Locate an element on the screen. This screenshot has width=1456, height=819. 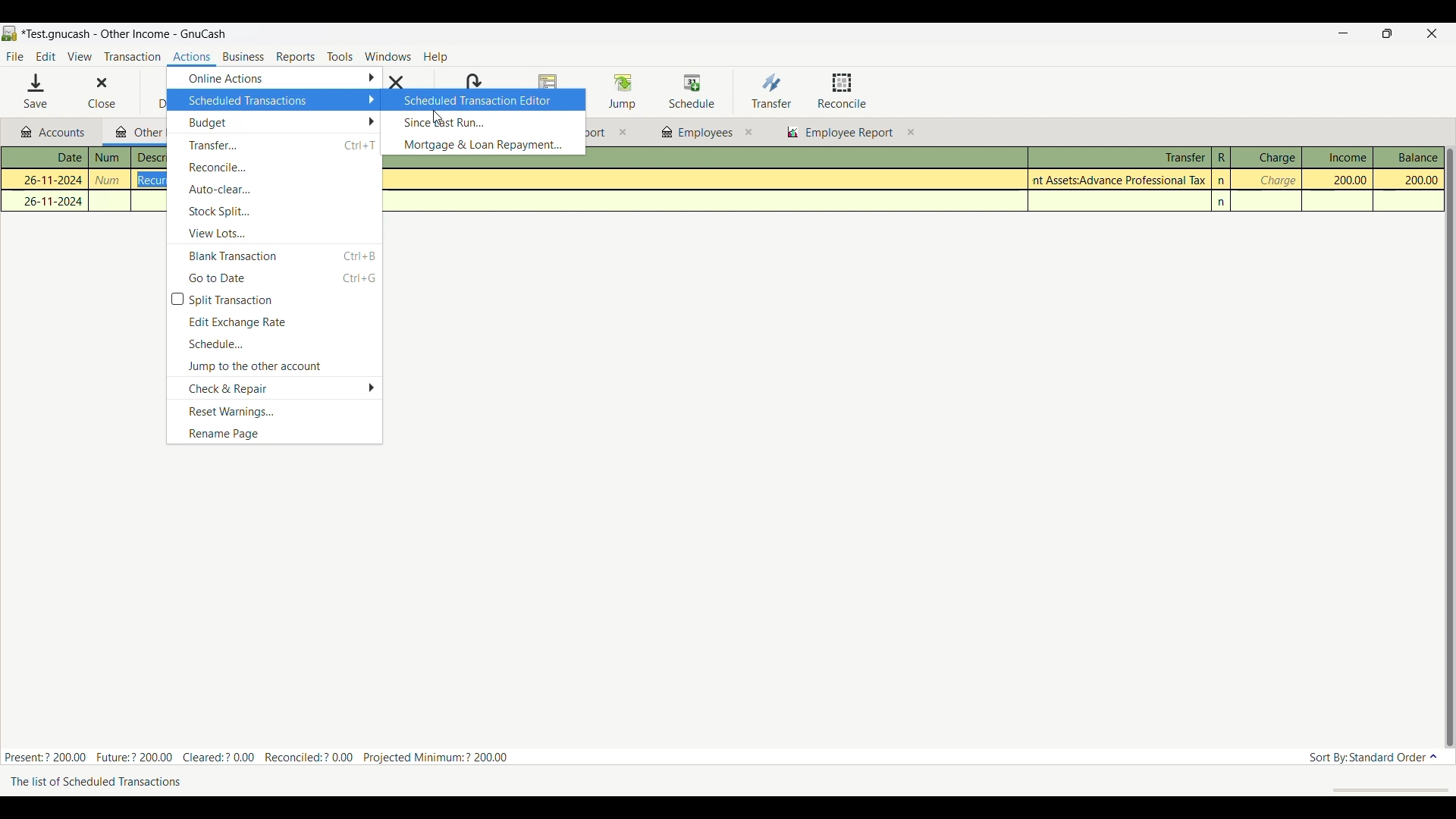
26-11-2024 is located at coordinates (49, 201).